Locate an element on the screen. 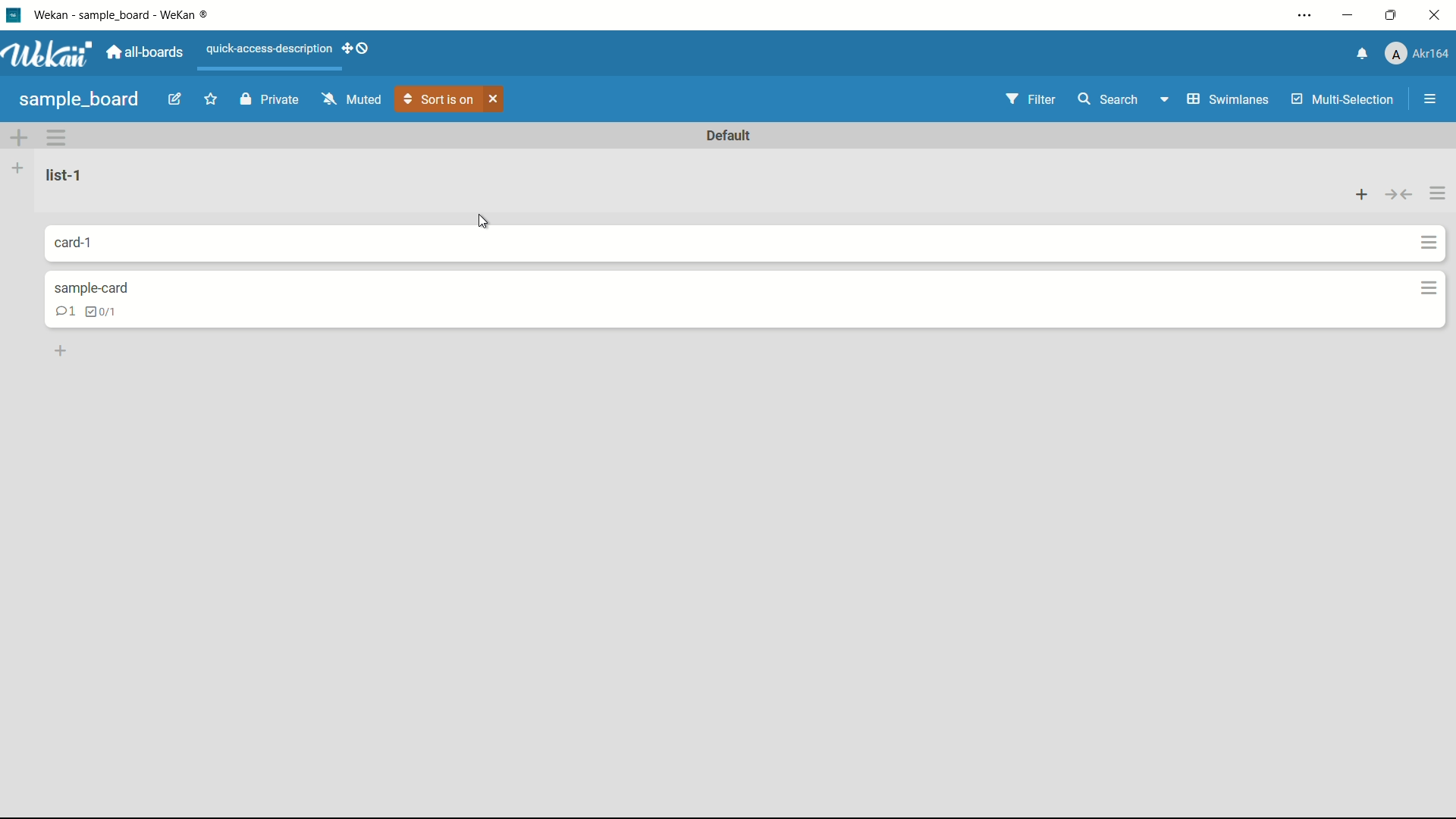 The height and width of the screenshot is (819, 1456). comments is located at coordinates (61, 311).